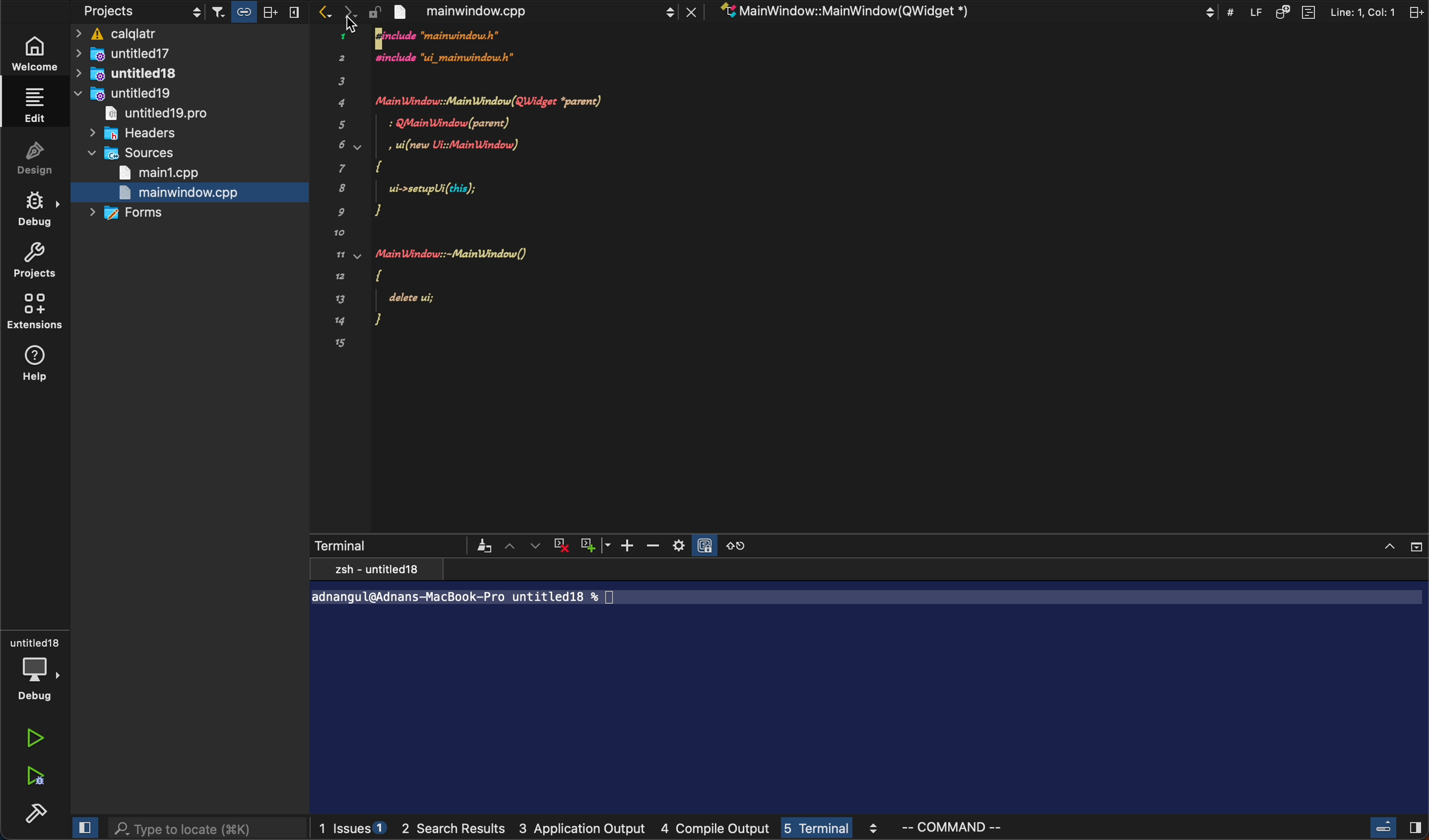 This screenshot has height=840, width=1429. I want to click on debug, so click(37, 206).